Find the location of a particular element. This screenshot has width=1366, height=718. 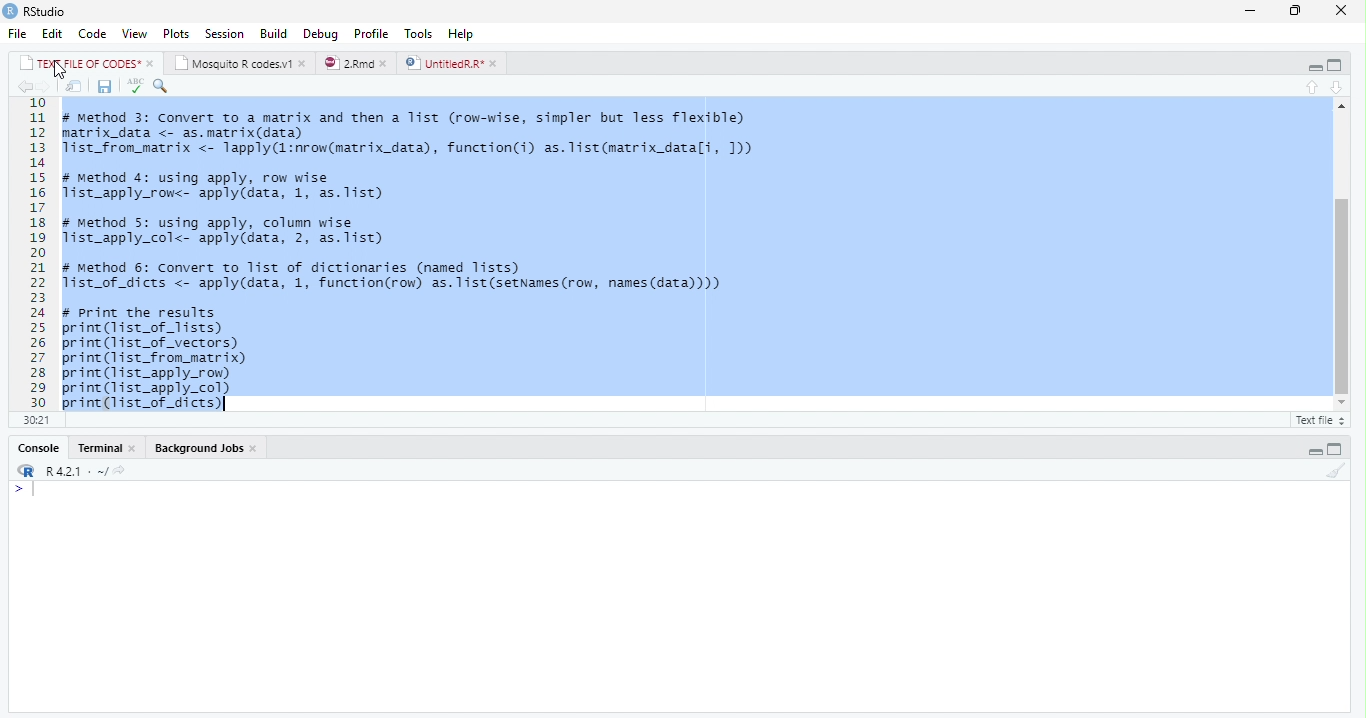

Clear is located at coordinates (1334, 470).